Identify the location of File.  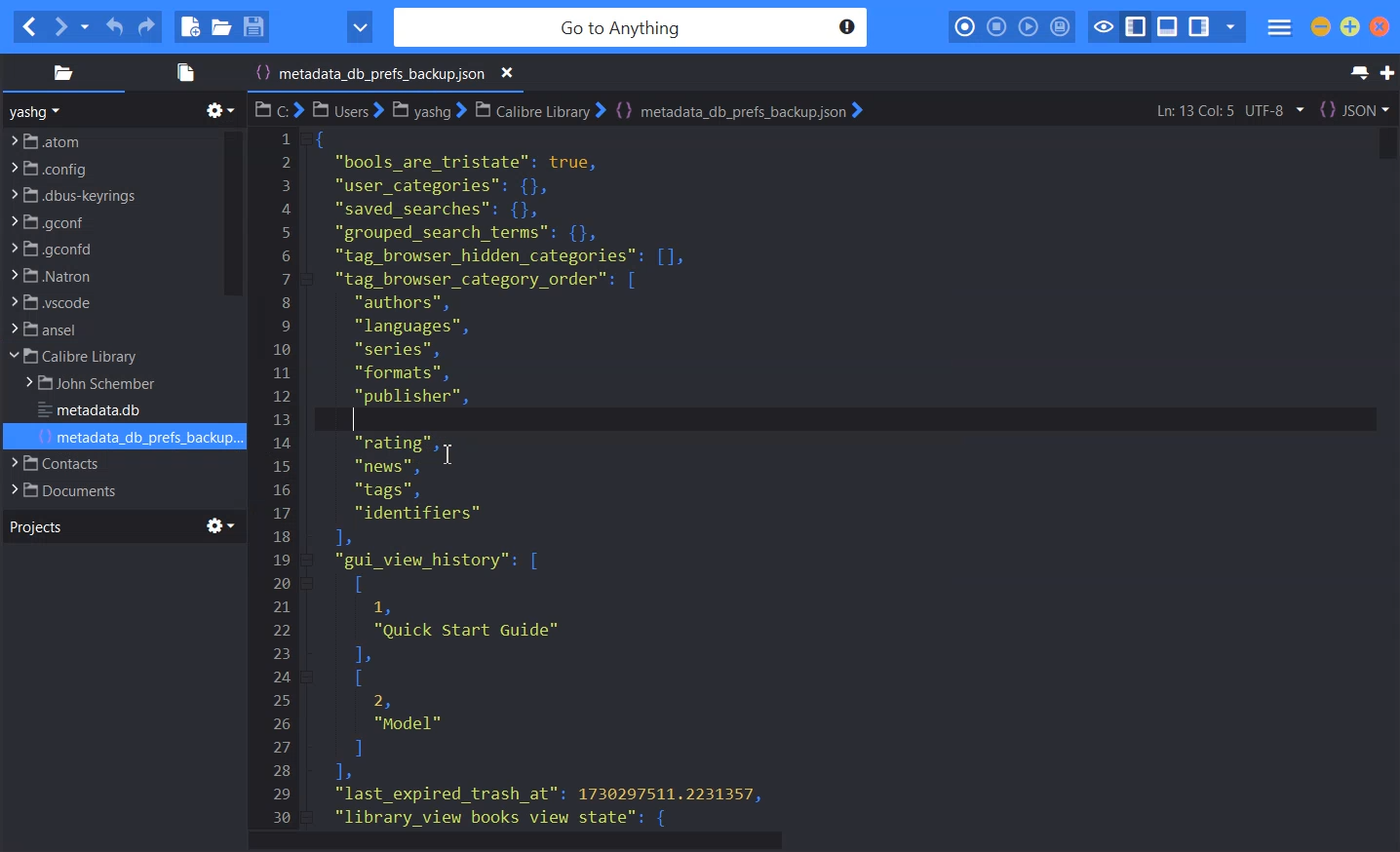
(106, 489).